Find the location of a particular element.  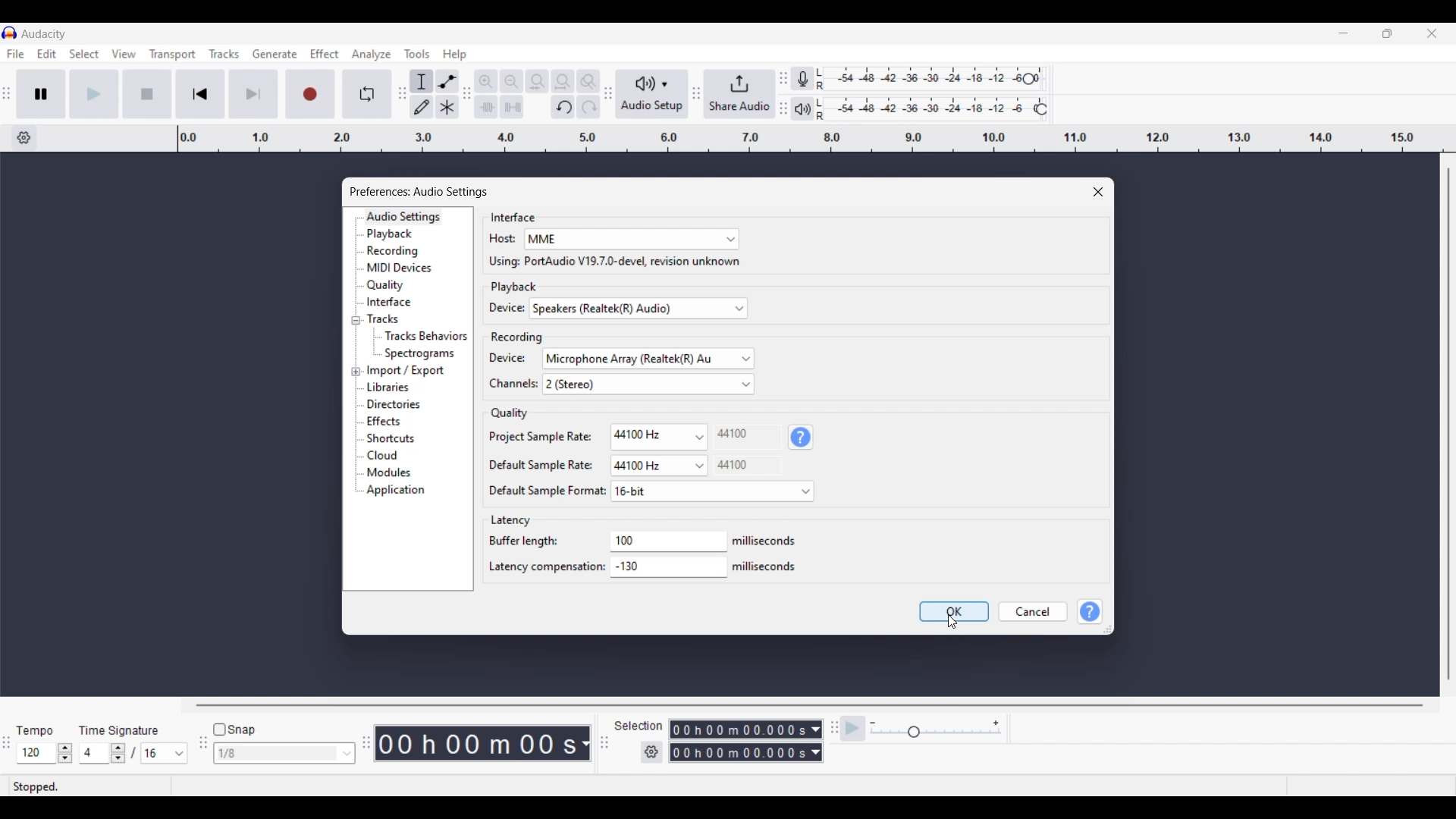

Stop is located at coordinates (148, 94).